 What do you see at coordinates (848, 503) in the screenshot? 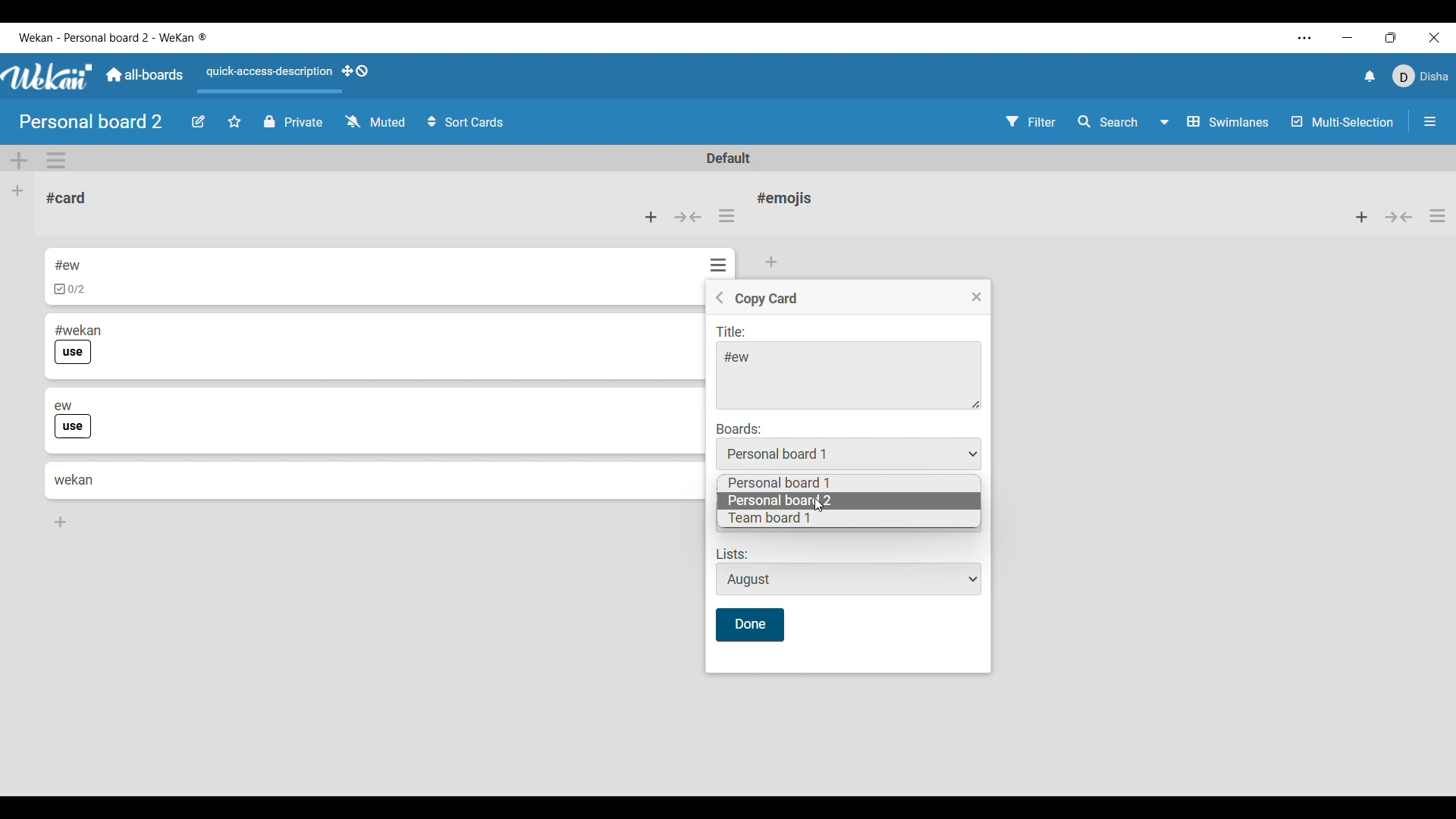
I see `Personal board 2` at bounding box center [848, 503].